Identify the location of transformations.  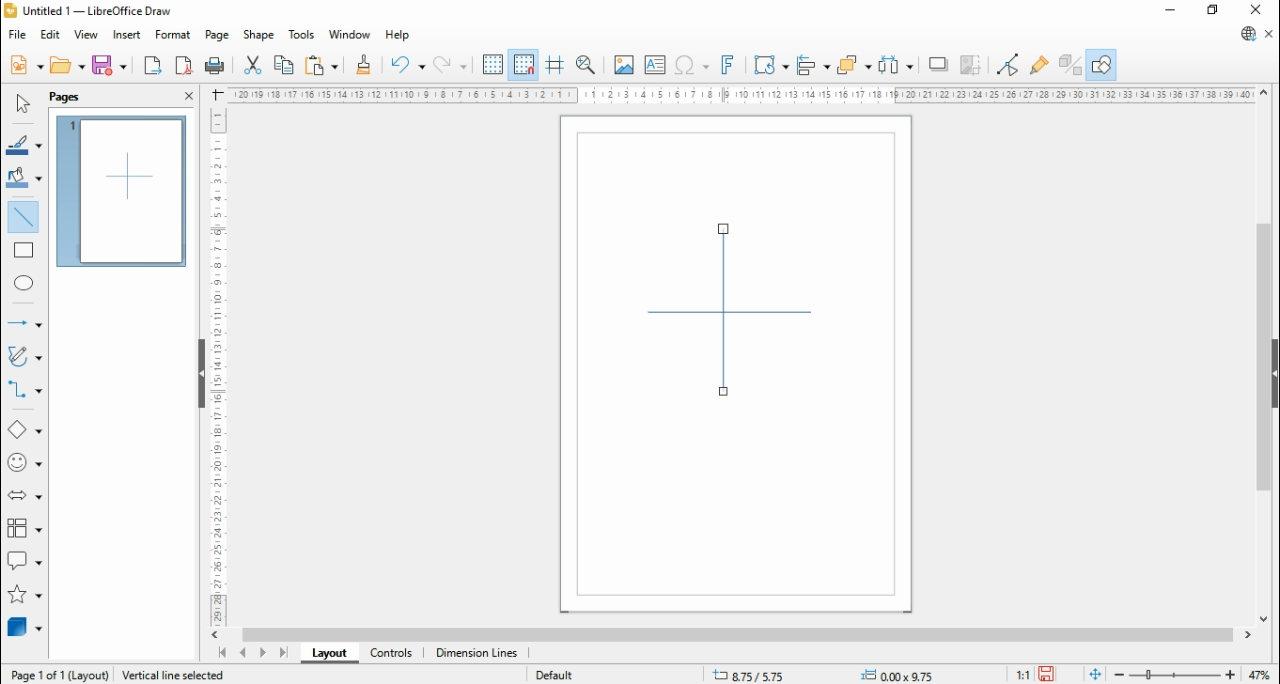
(770, 64).